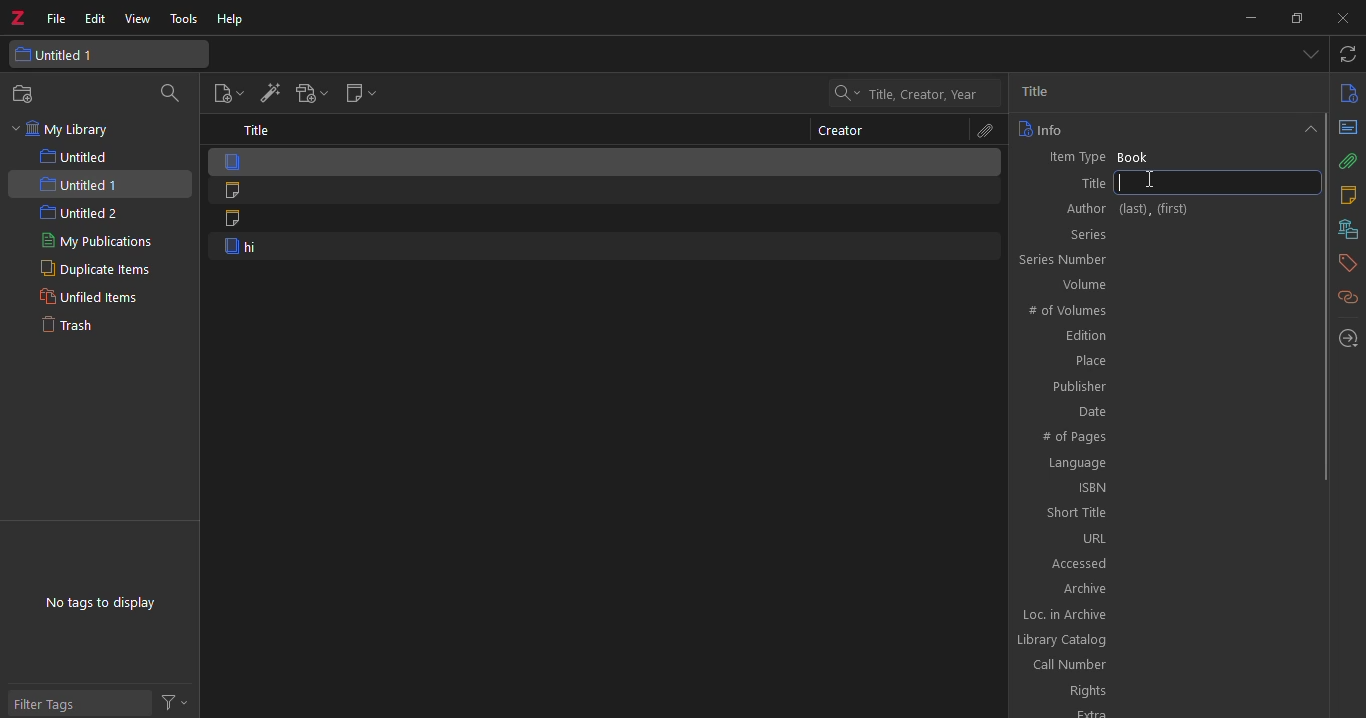 This screenshot has height=718, width=1366. Describe the element at coordinates (56, 17) in the screenshot. I see `file` at that location.